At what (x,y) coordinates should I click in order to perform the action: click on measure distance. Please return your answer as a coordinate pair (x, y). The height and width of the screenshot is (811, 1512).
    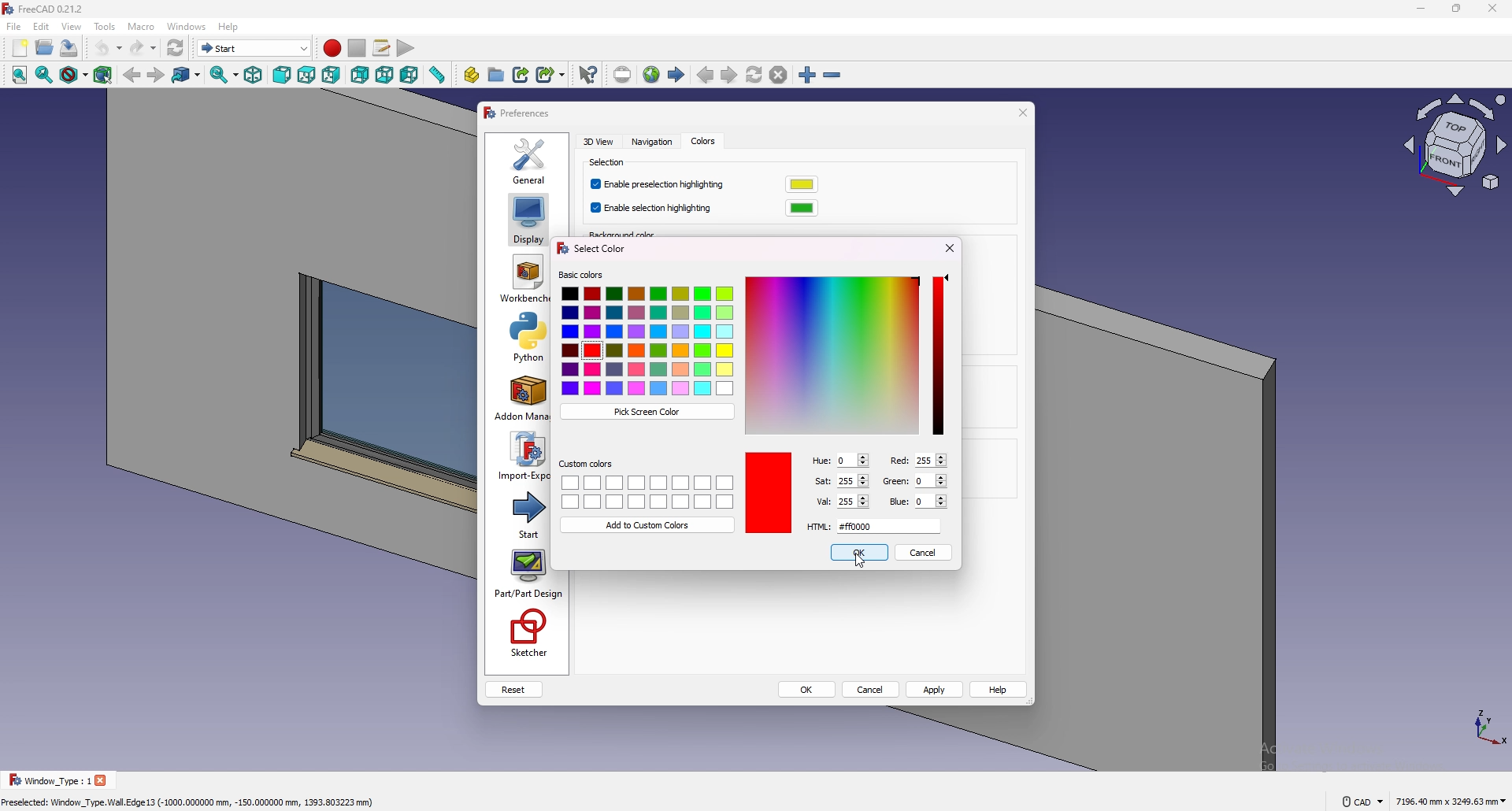
    Looking at the image, I should click on (438, 75).